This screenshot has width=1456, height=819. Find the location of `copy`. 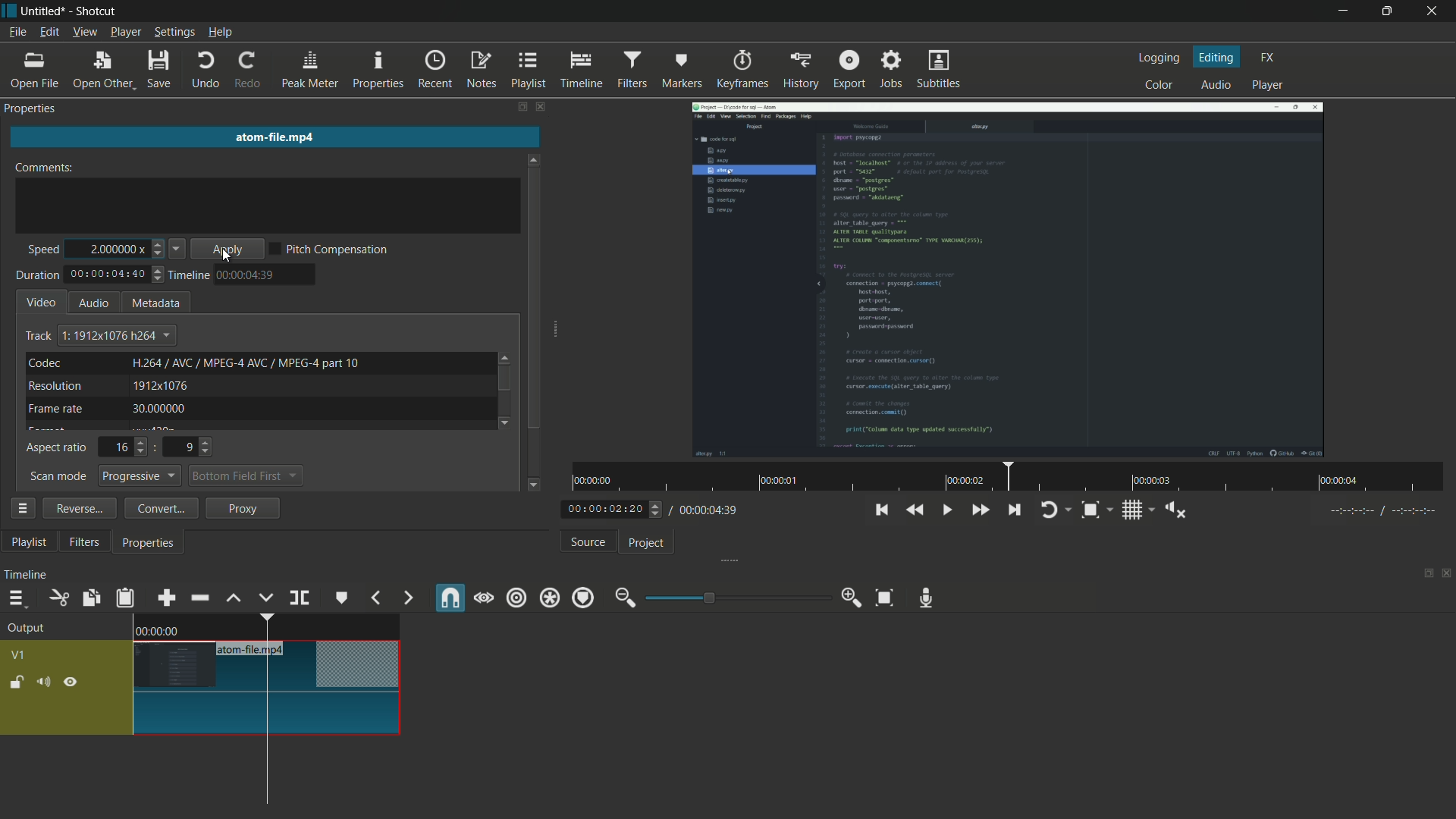

copy is located at coordinates (89, 598).